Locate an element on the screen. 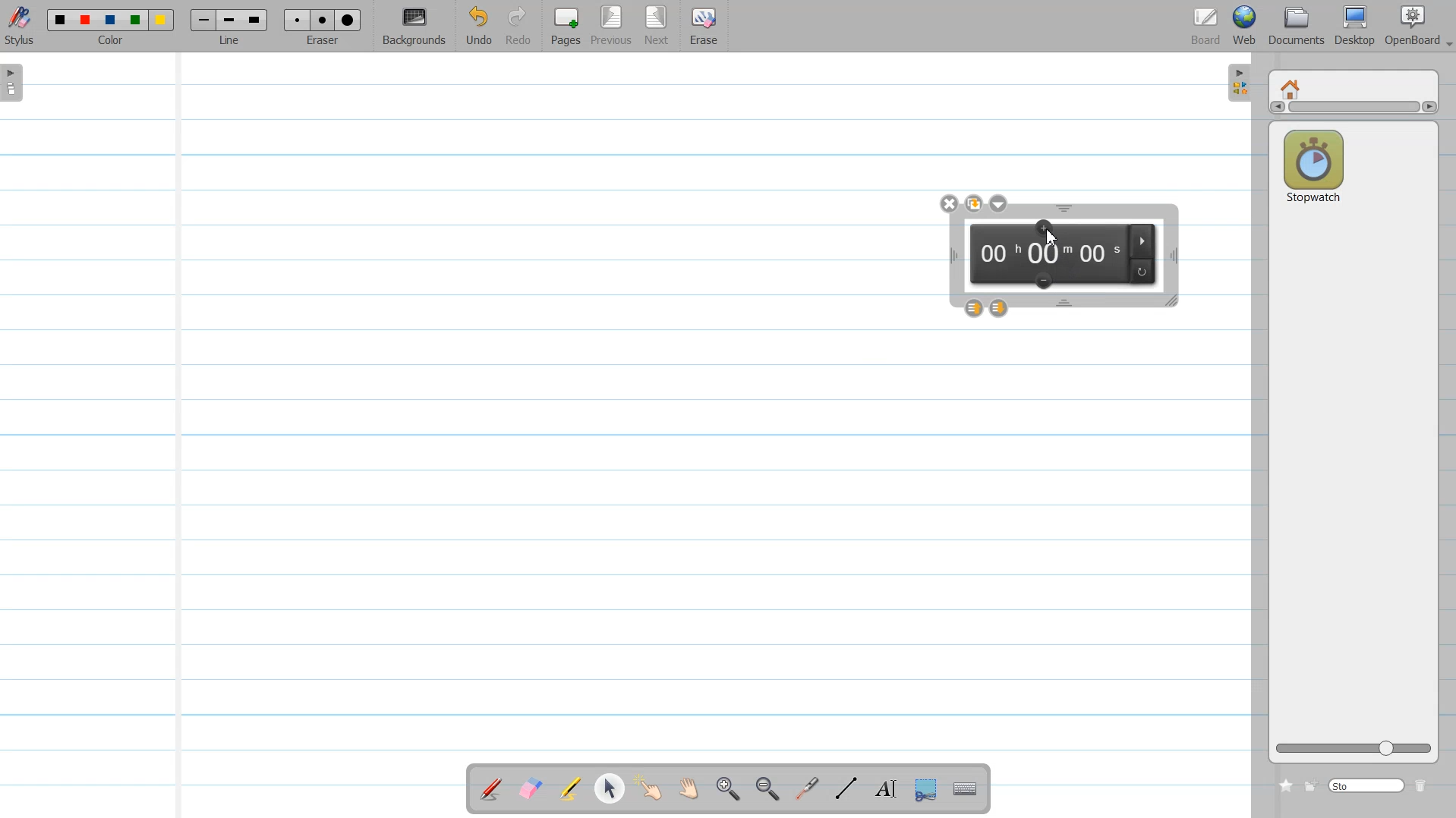 This screenshot has height=818, width=1456. Interact with Item is located at coordinates (652, 788).